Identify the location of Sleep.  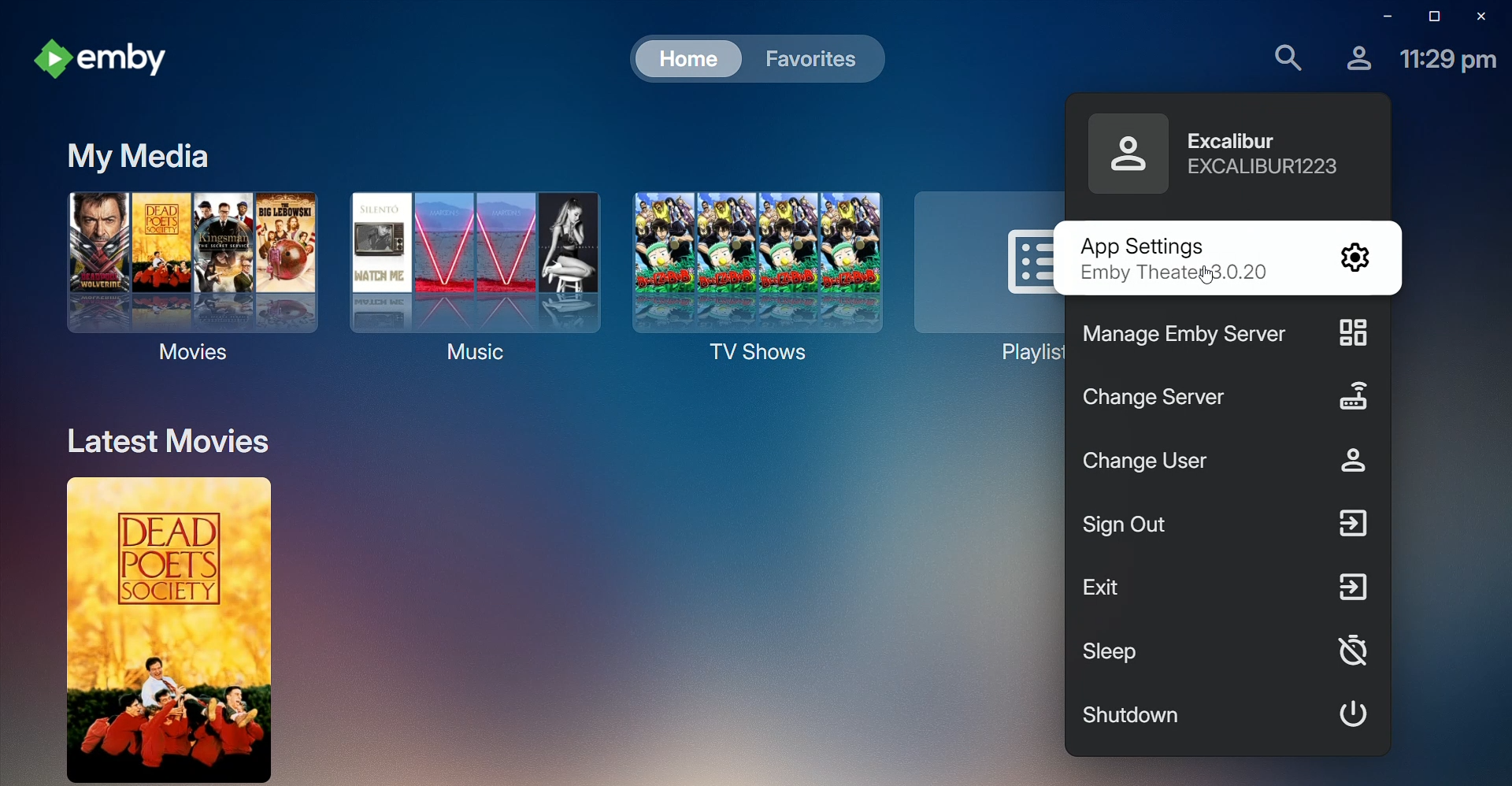
(1228, 657).